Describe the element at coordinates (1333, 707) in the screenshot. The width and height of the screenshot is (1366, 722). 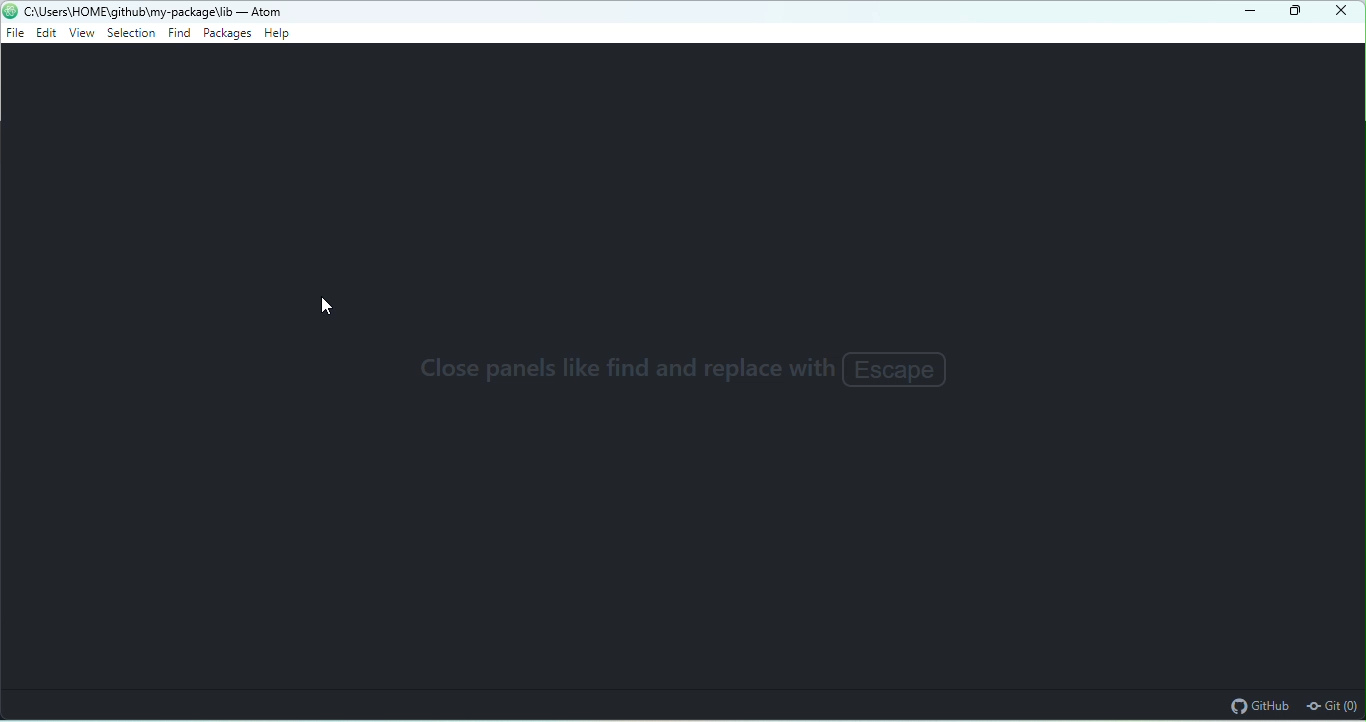
I see `git` at that location.